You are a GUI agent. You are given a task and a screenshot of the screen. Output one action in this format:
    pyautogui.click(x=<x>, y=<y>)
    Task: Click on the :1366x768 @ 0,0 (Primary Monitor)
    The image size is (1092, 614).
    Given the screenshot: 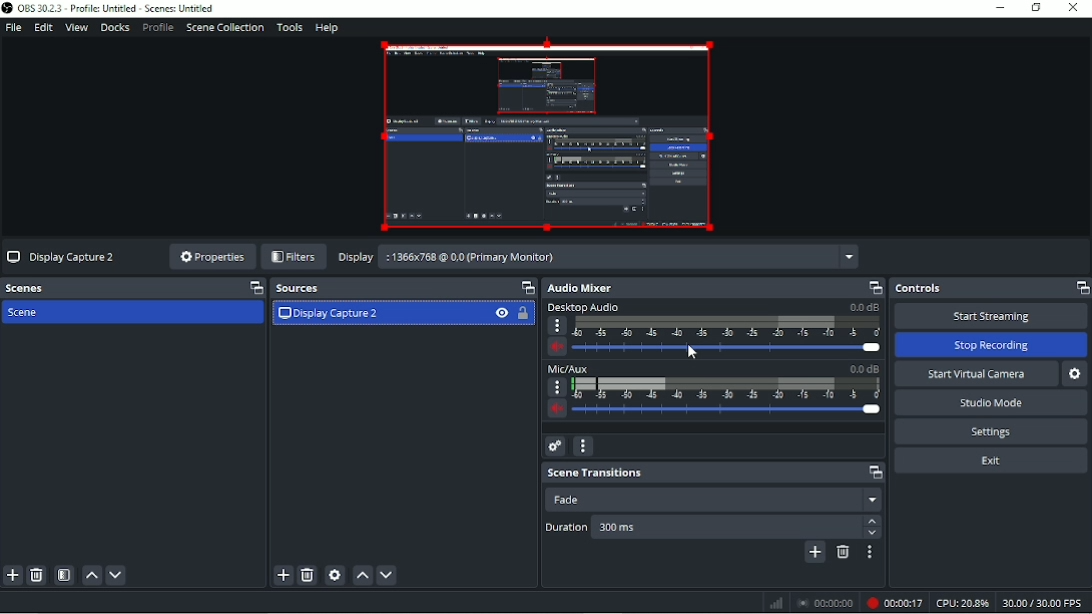 What is the action you would take?
    pyautogui.click(x=617, y=257)
    